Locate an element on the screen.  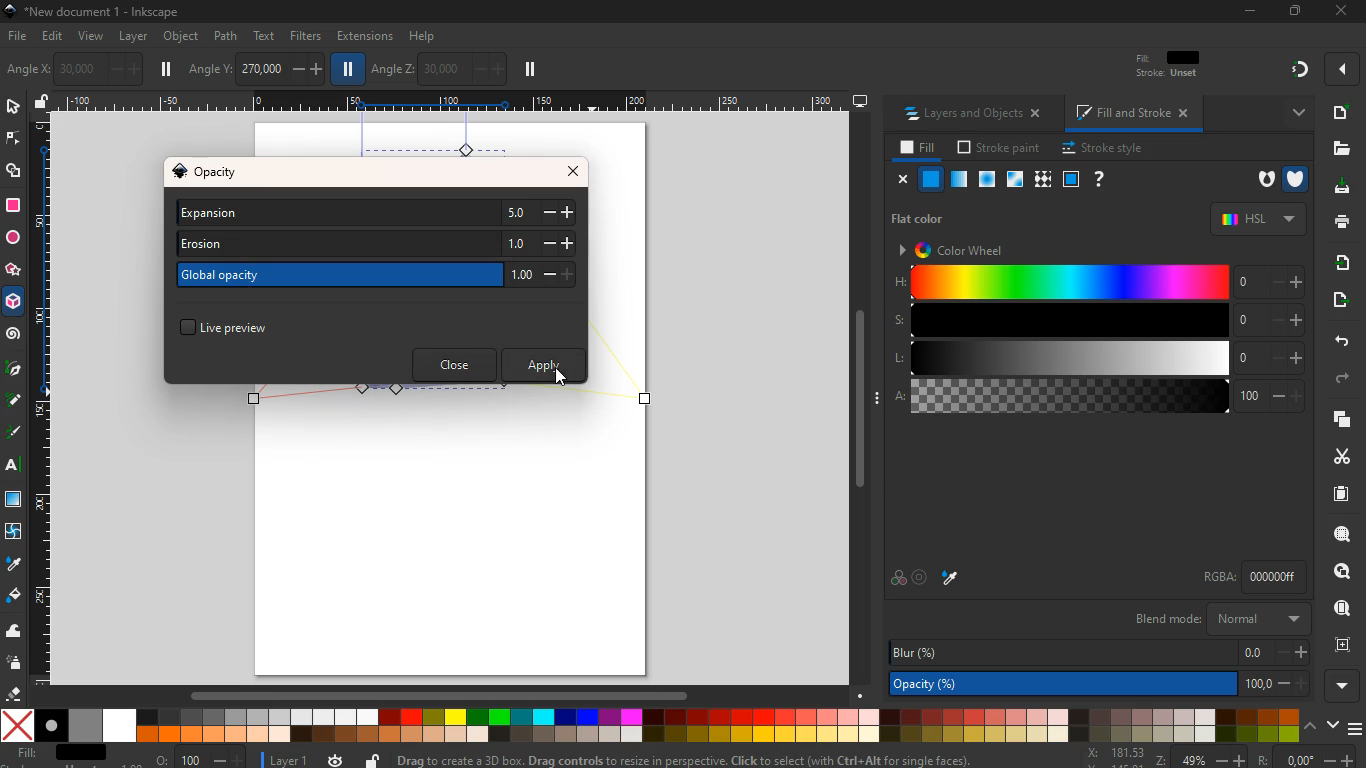
layer is located at coordinates (133, 36).